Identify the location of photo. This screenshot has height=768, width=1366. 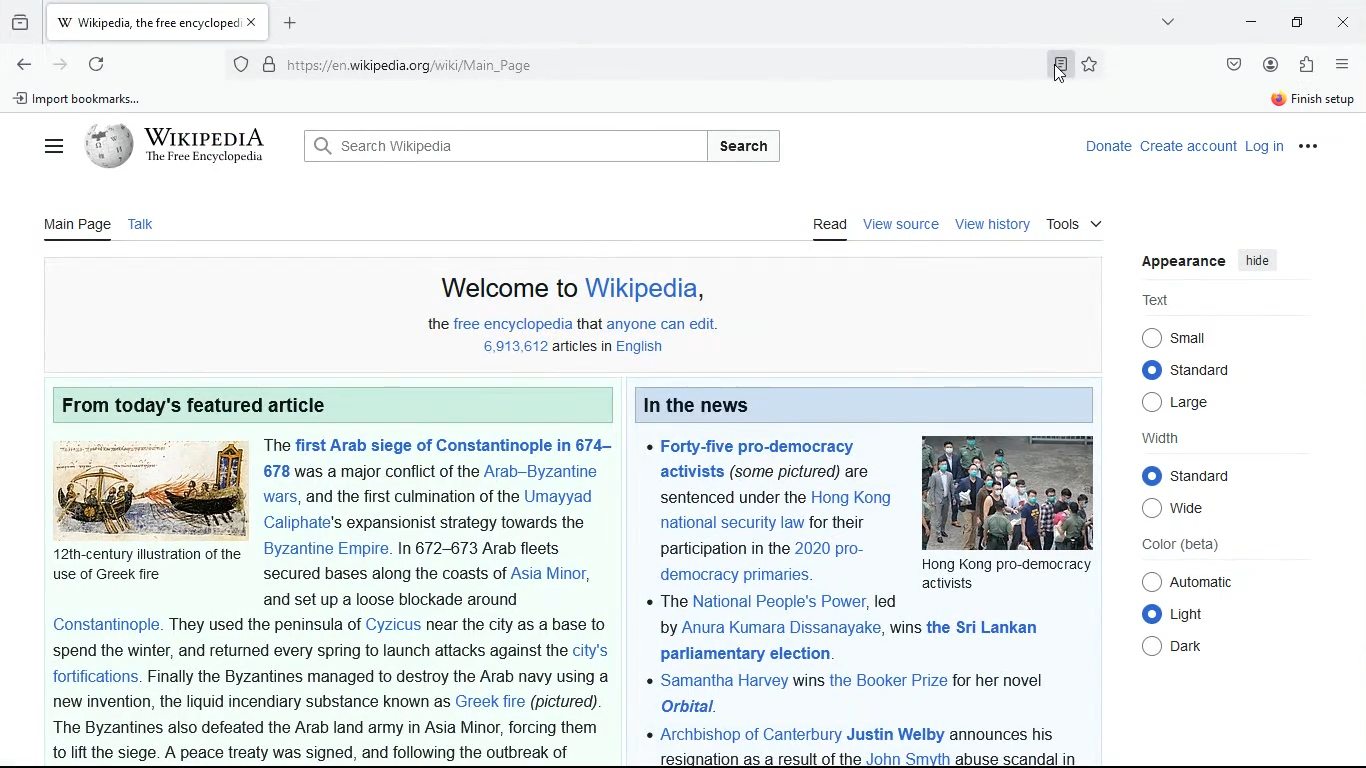
(149, 487).